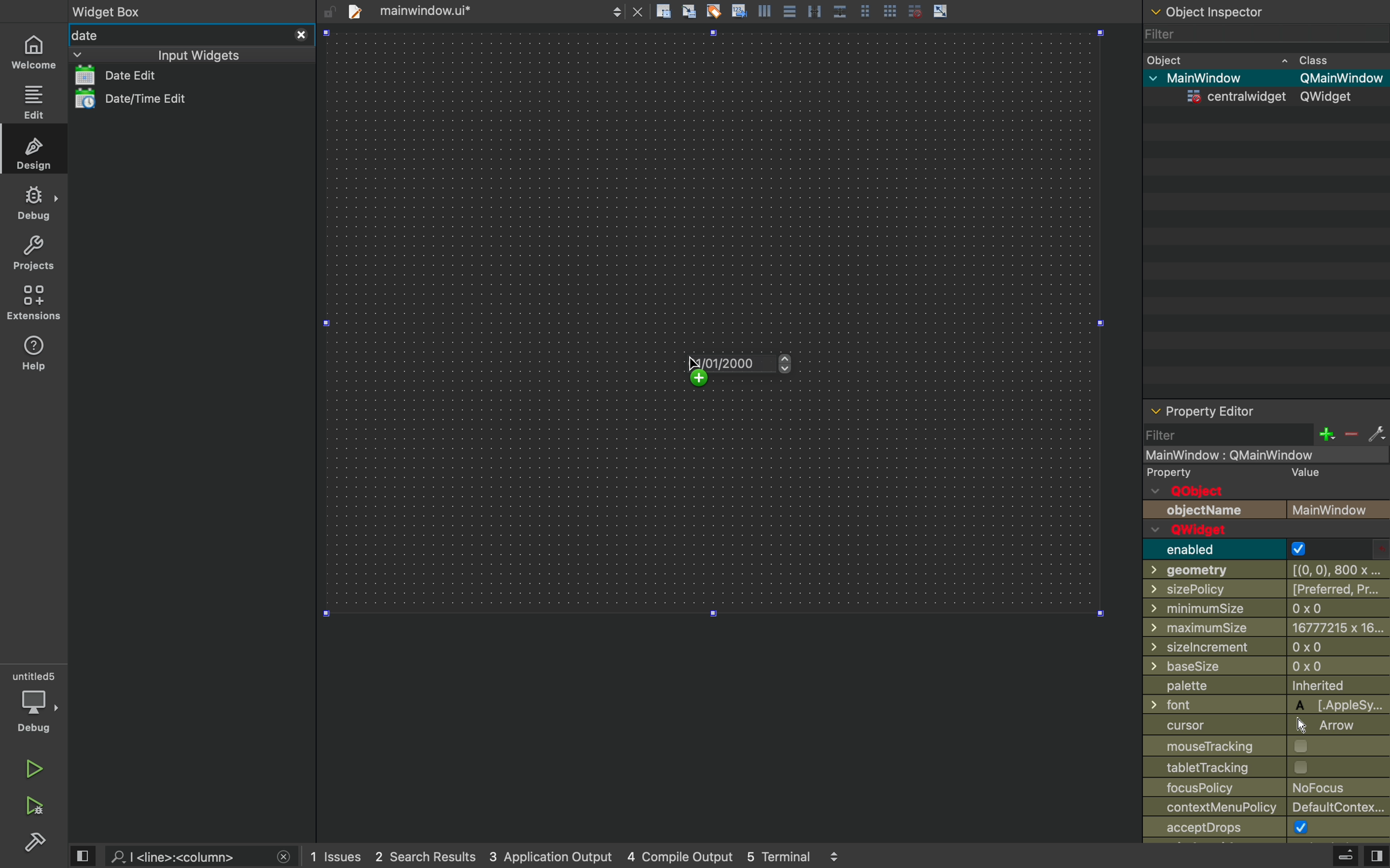 This screenshot has height=868, width=1390. I want to click on settings, so click(1376, 433).